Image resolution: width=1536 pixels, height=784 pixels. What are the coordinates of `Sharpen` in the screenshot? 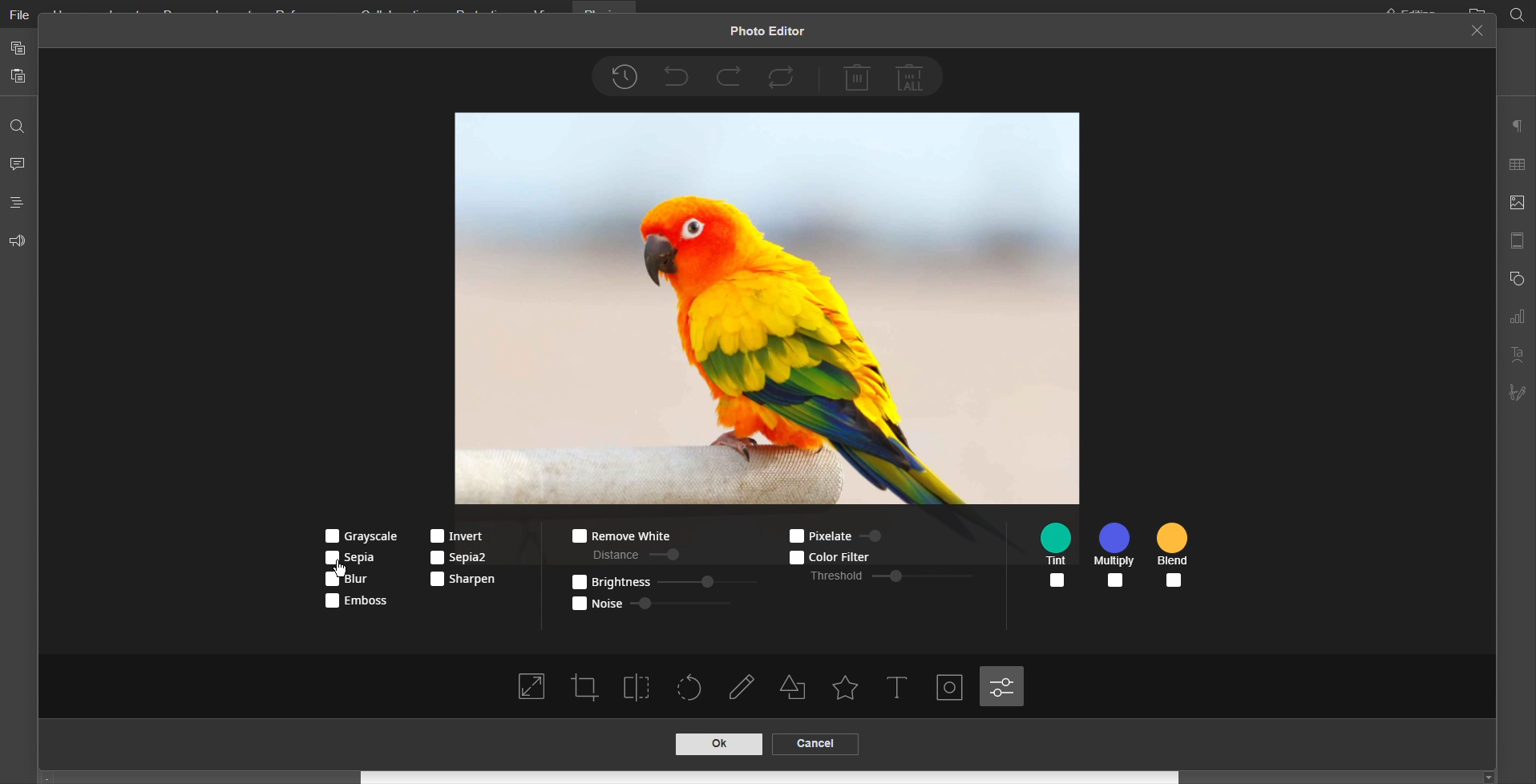 It's located at (463, 579).